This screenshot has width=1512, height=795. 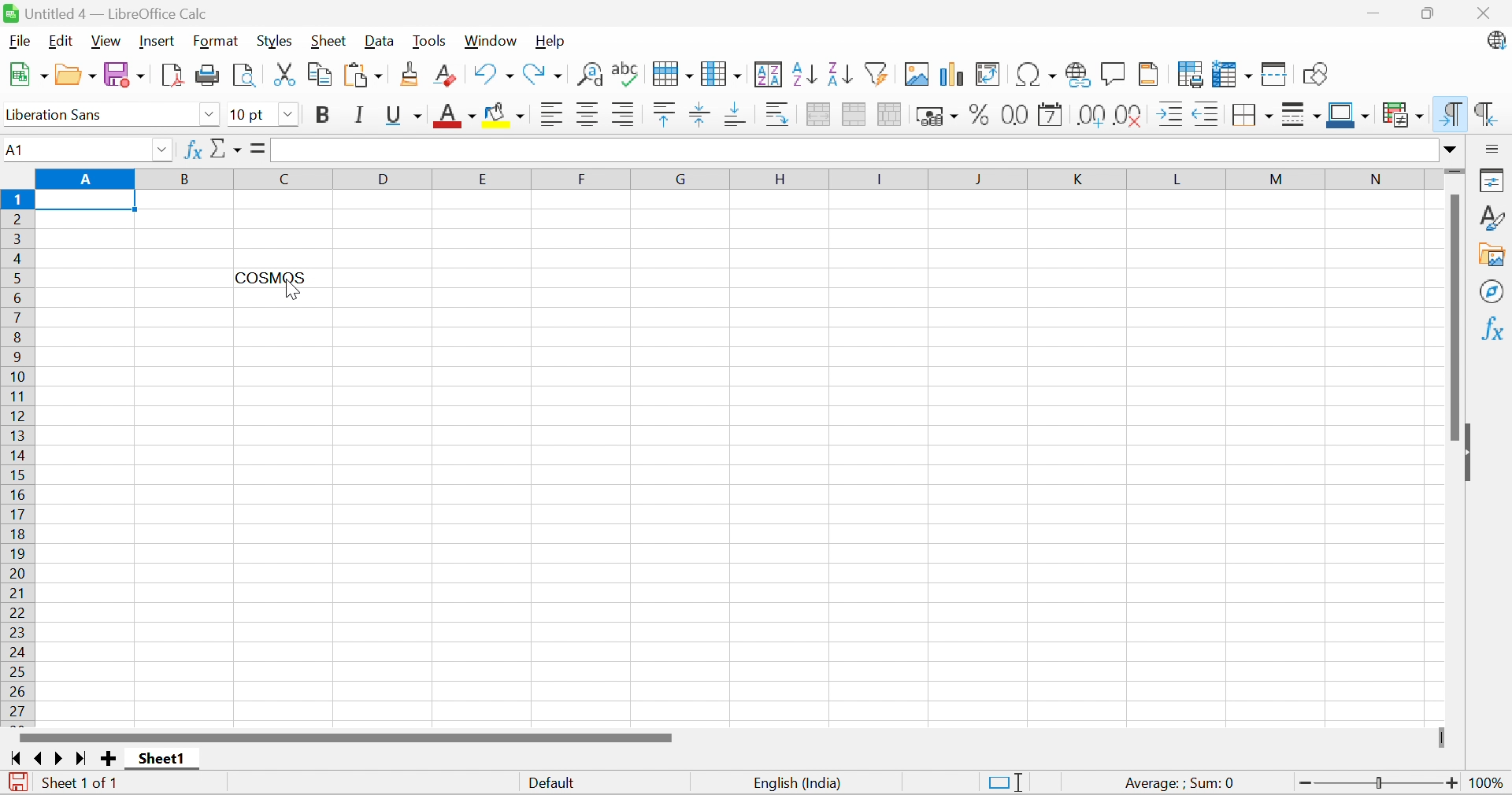 I want to click on Format as Currency, so click(x=936, y=115).